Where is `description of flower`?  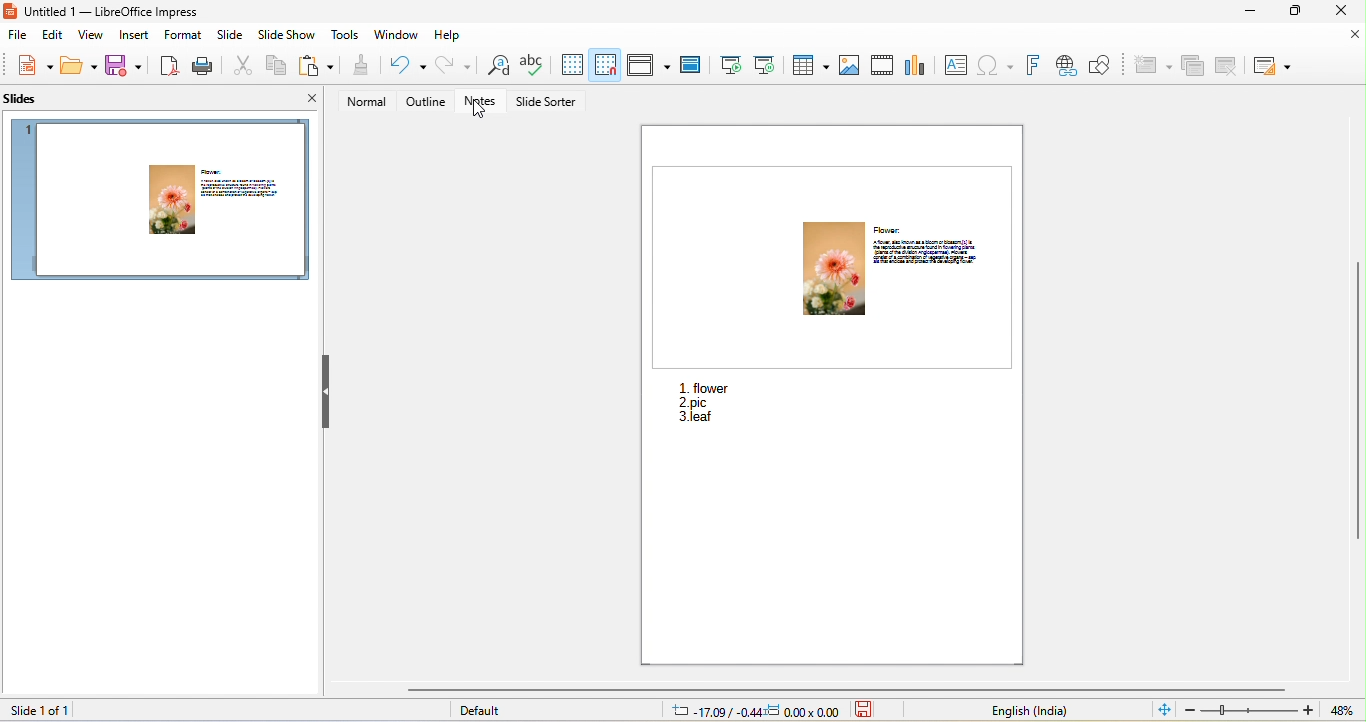 description of flower is located at coordinates (928, 254).